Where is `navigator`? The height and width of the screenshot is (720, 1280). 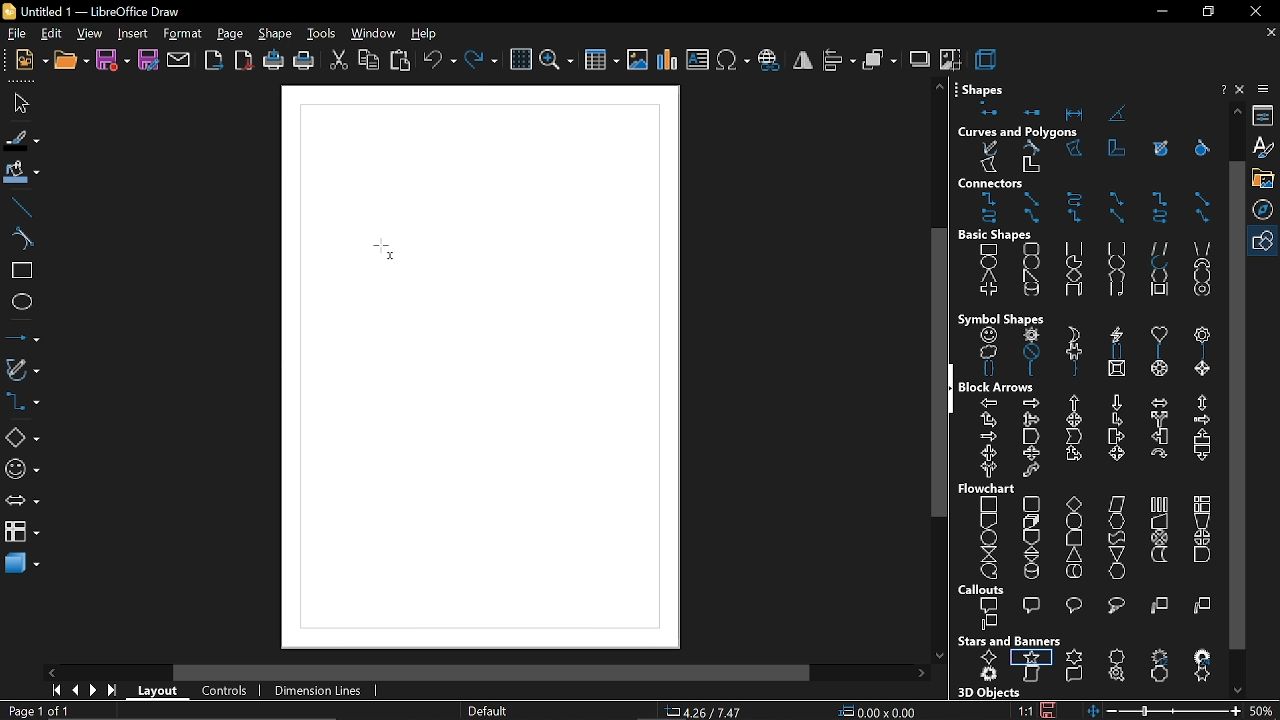
navigator is located at coordinates (1266, 209).